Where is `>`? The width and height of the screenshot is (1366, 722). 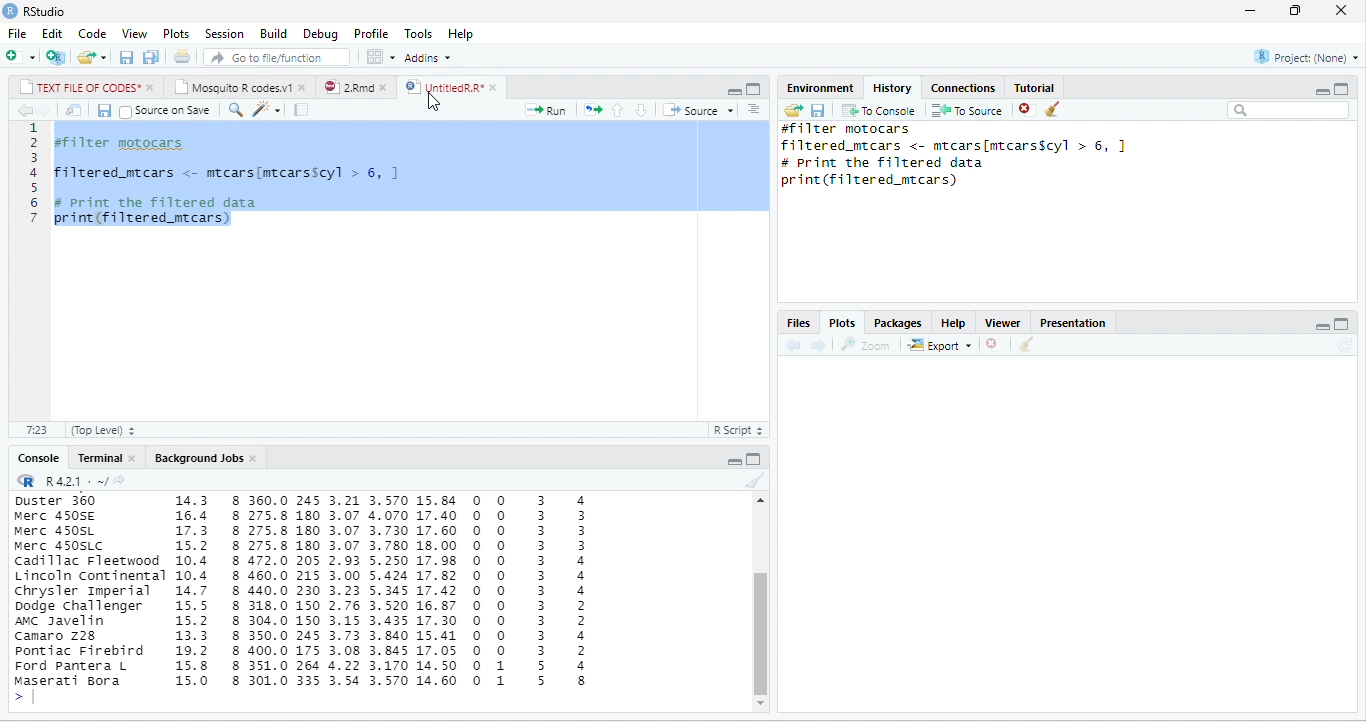
> is located at coordinates (28, 698).